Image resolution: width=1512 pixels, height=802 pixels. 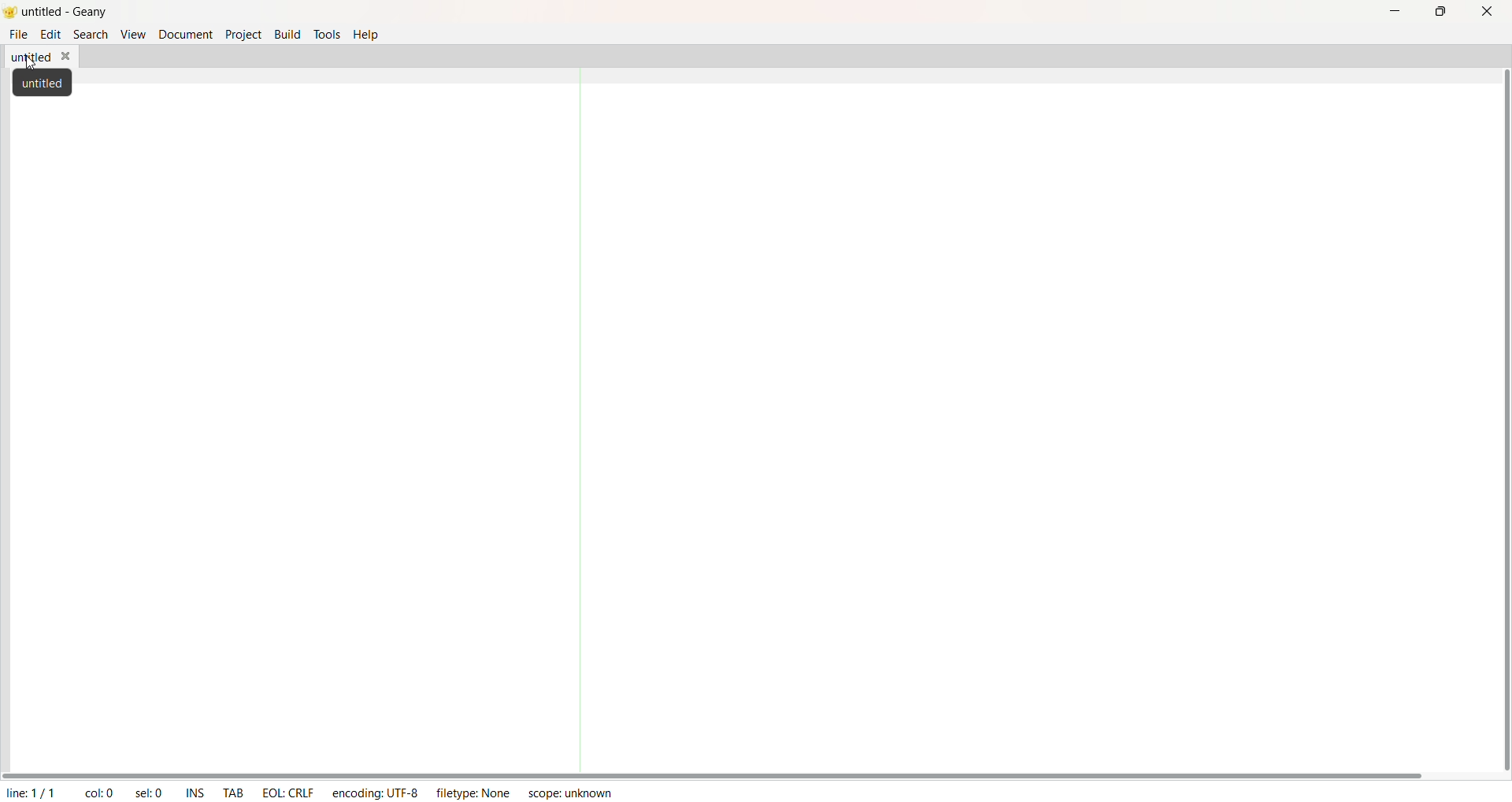 What do you see at coordinates (572, 793) in the screenshot?
I see `scope: unknown` at bounding box center [572, 793].